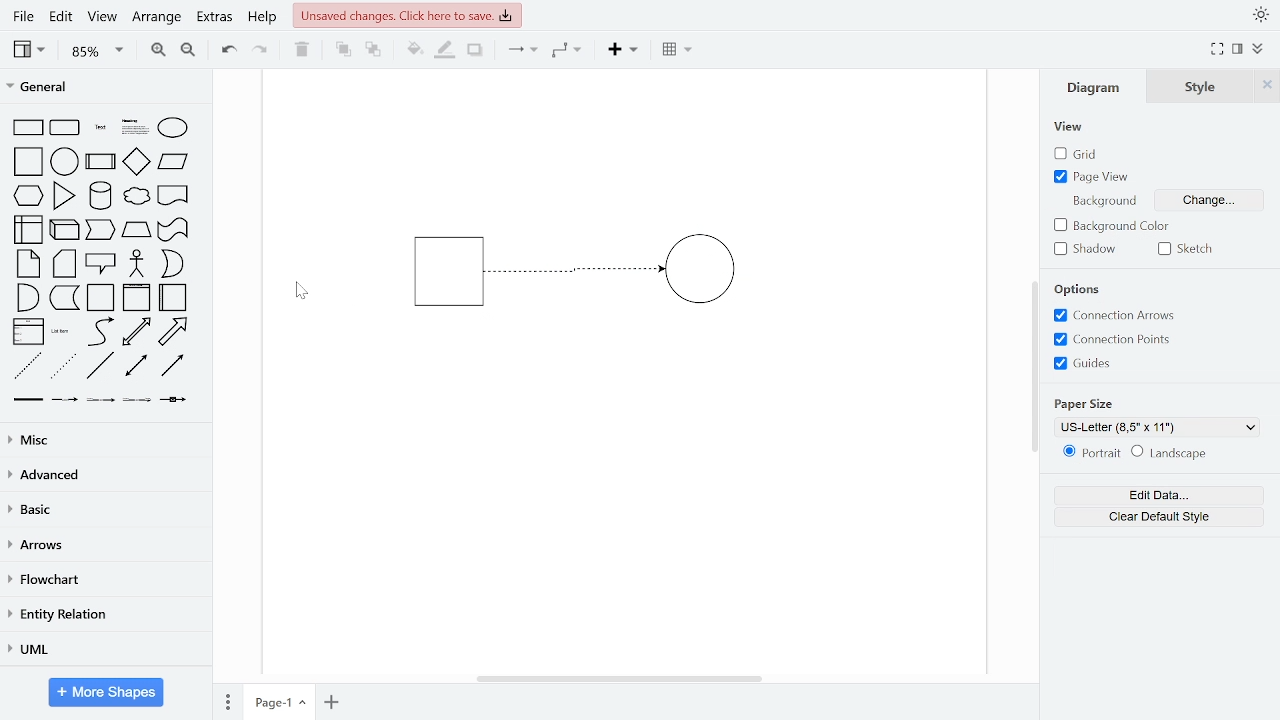 The image size is (1280, 720). I want to click on grid, so click(1079, 154).